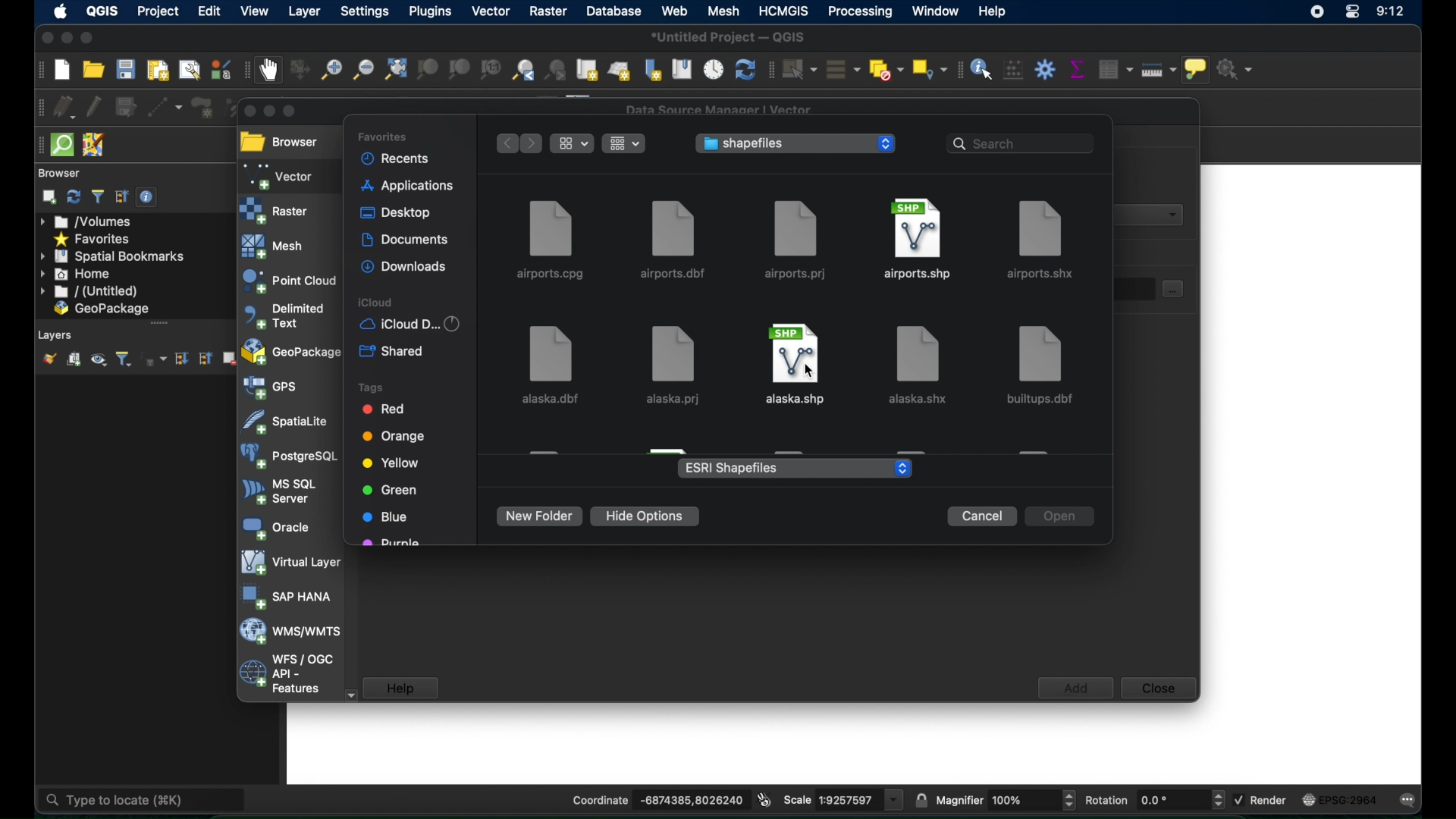  I want to click on open project, so click(93, 70).